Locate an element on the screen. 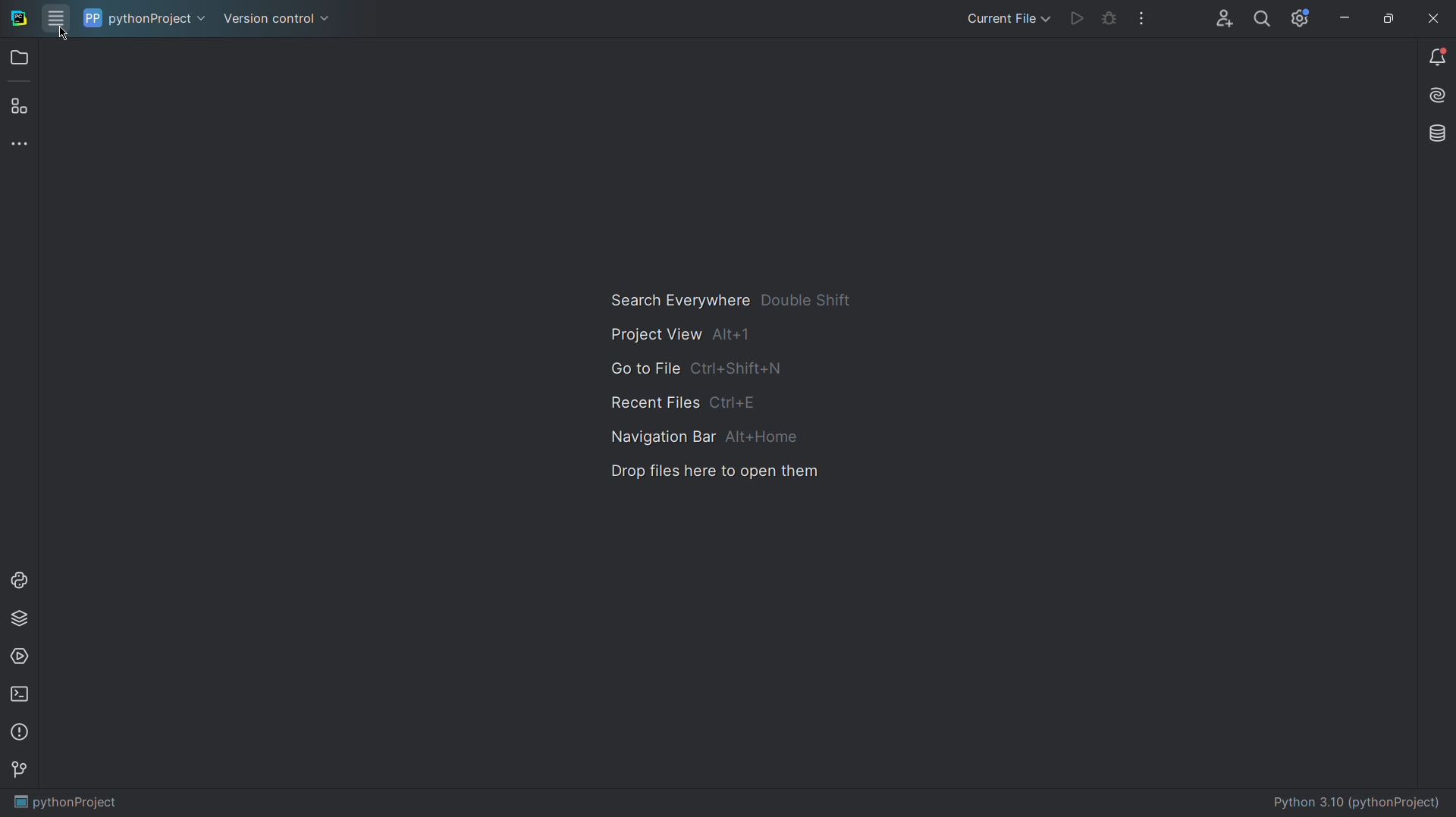 Image resolution: width=1456 pixels, height=817 pixels. Version Control is located at coordinates (22, 773).